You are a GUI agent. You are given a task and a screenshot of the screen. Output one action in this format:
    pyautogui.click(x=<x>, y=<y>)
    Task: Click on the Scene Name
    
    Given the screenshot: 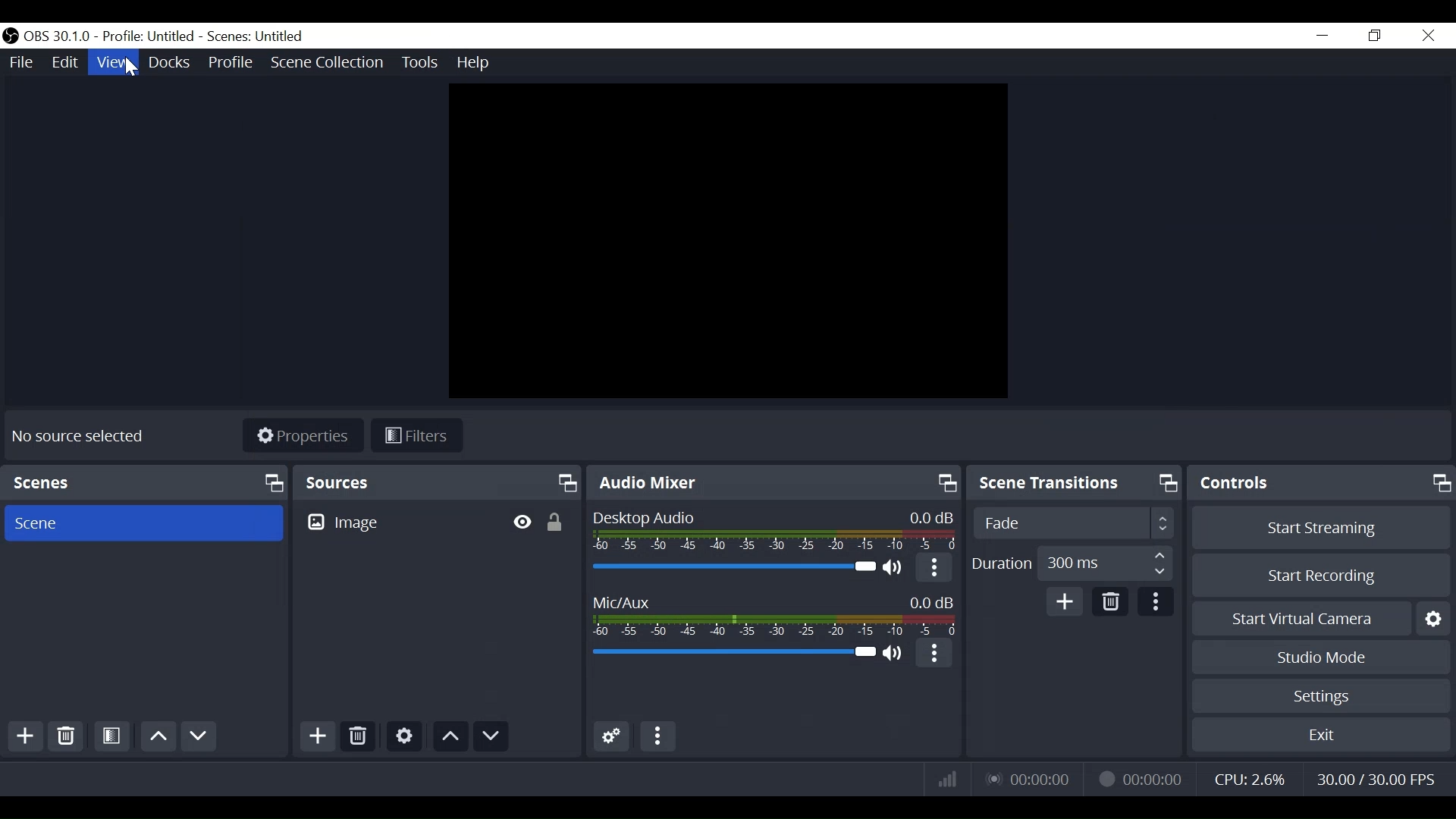 What is the action you would take?
    pyautogui.click(x=260, y=36)
    